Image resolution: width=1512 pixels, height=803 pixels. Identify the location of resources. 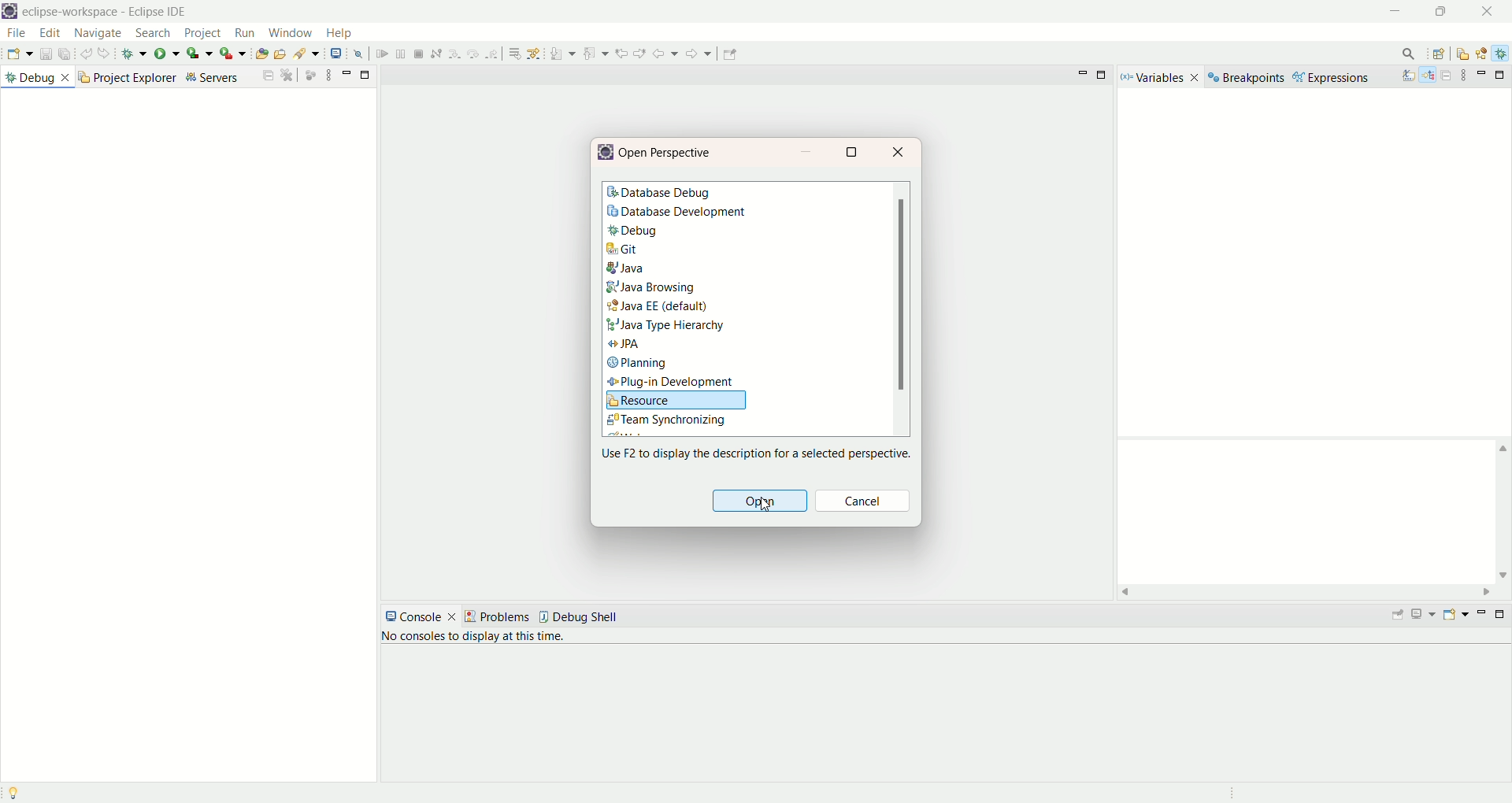
(1464, 55).